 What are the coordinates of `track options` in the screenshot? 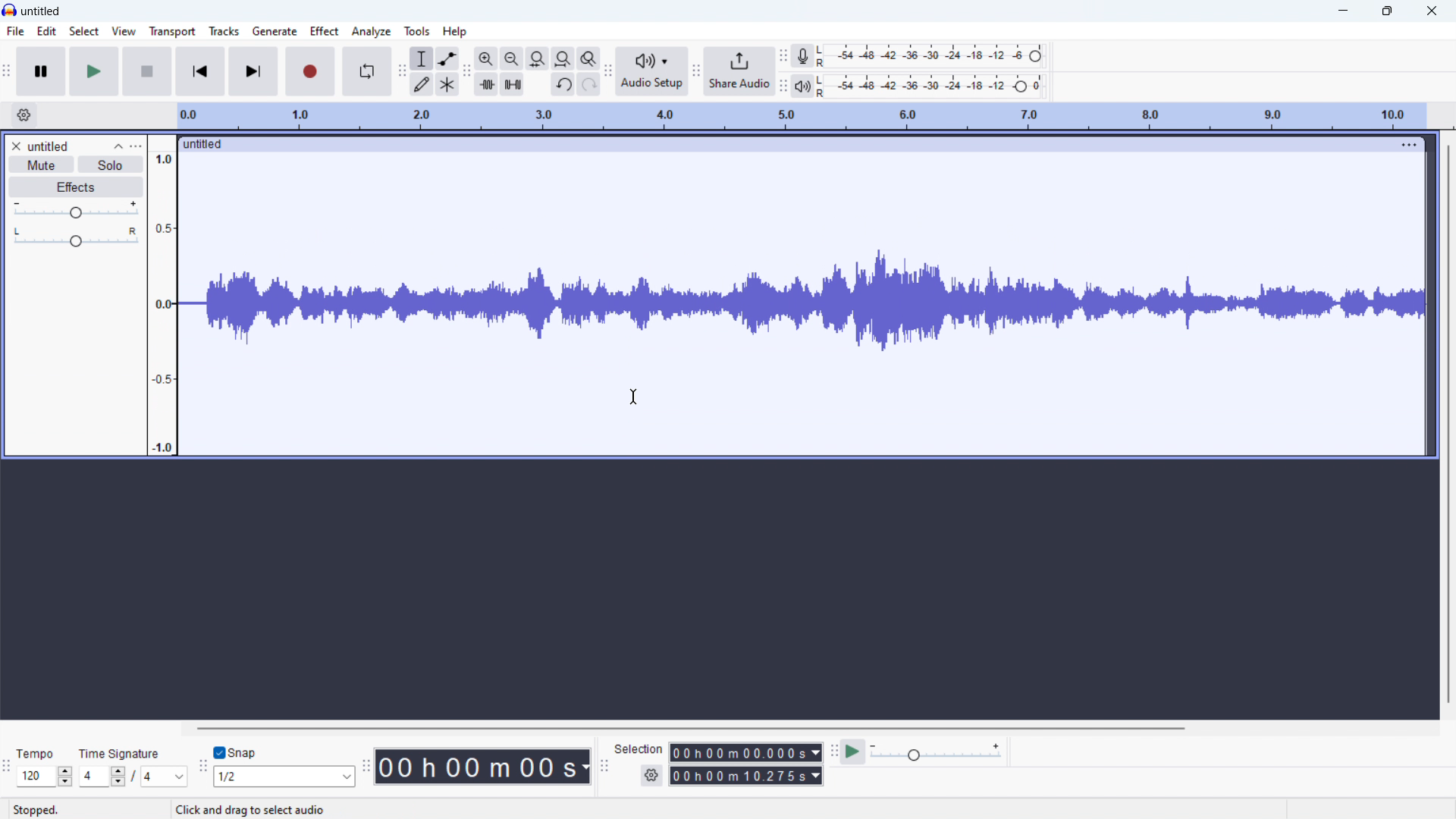 It's located at (1407, 145).